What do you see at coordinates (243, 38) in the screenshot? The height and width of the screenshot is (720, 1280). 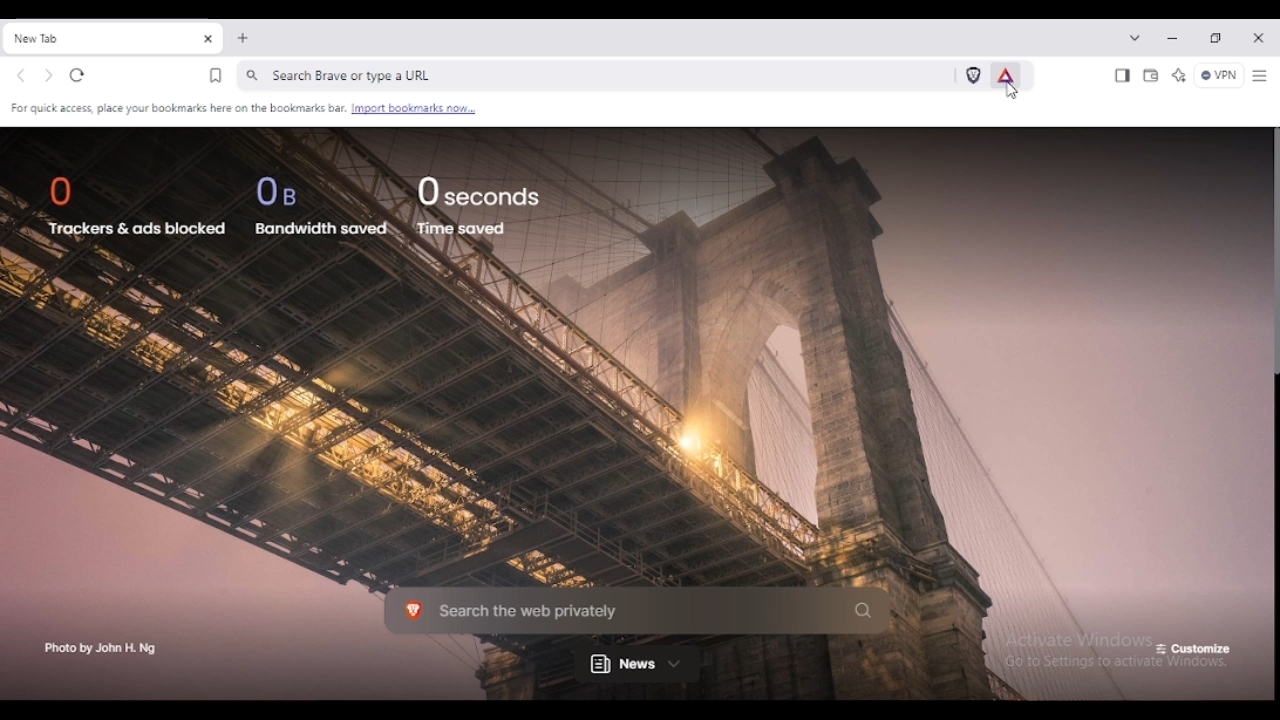 I see `new tab` at bounding box center [243, 38].